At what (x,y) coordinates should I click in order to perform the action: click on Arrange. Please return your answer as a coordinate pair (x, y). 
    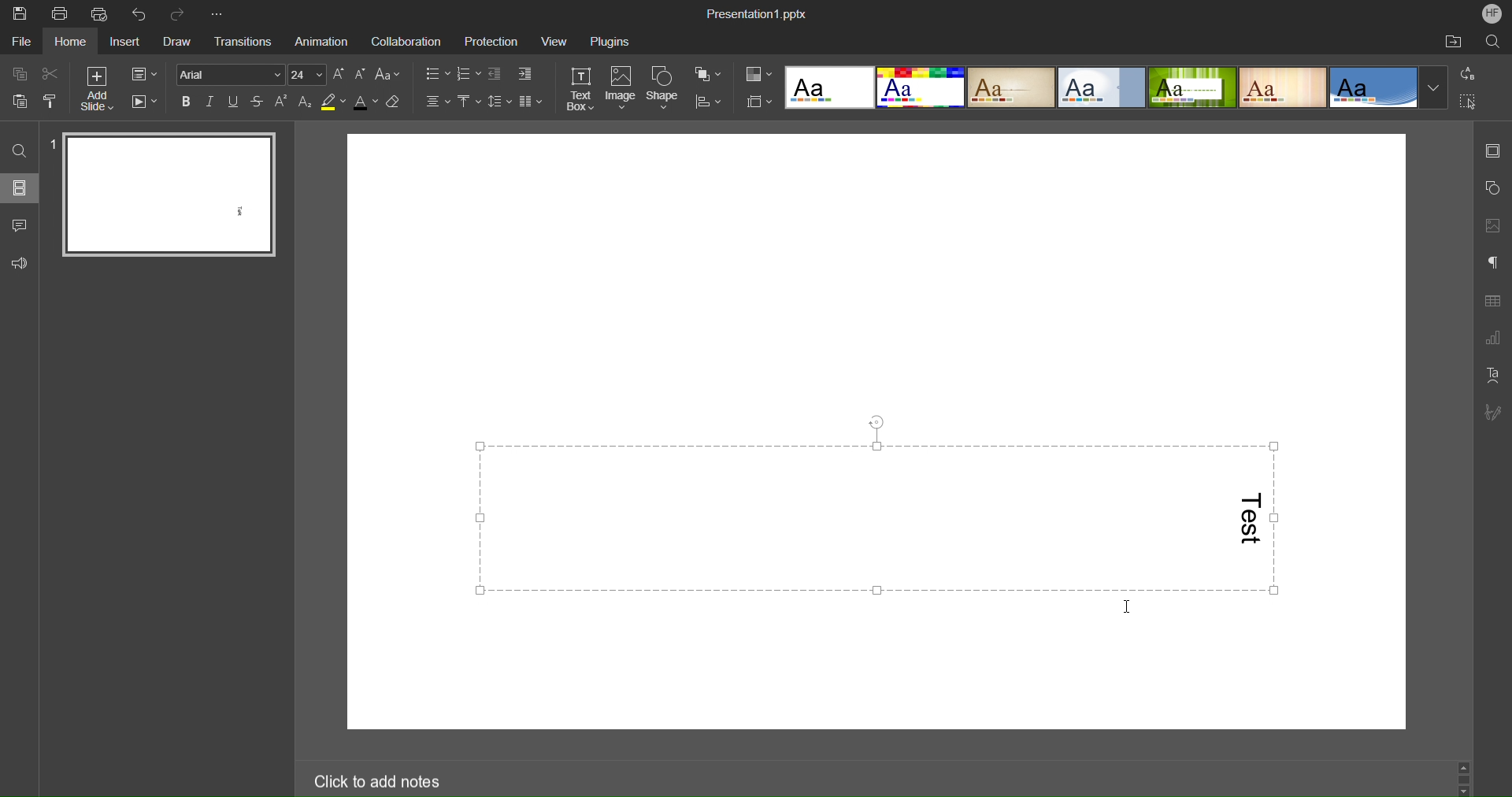
    Looking at the image, I should click on (709, 75).